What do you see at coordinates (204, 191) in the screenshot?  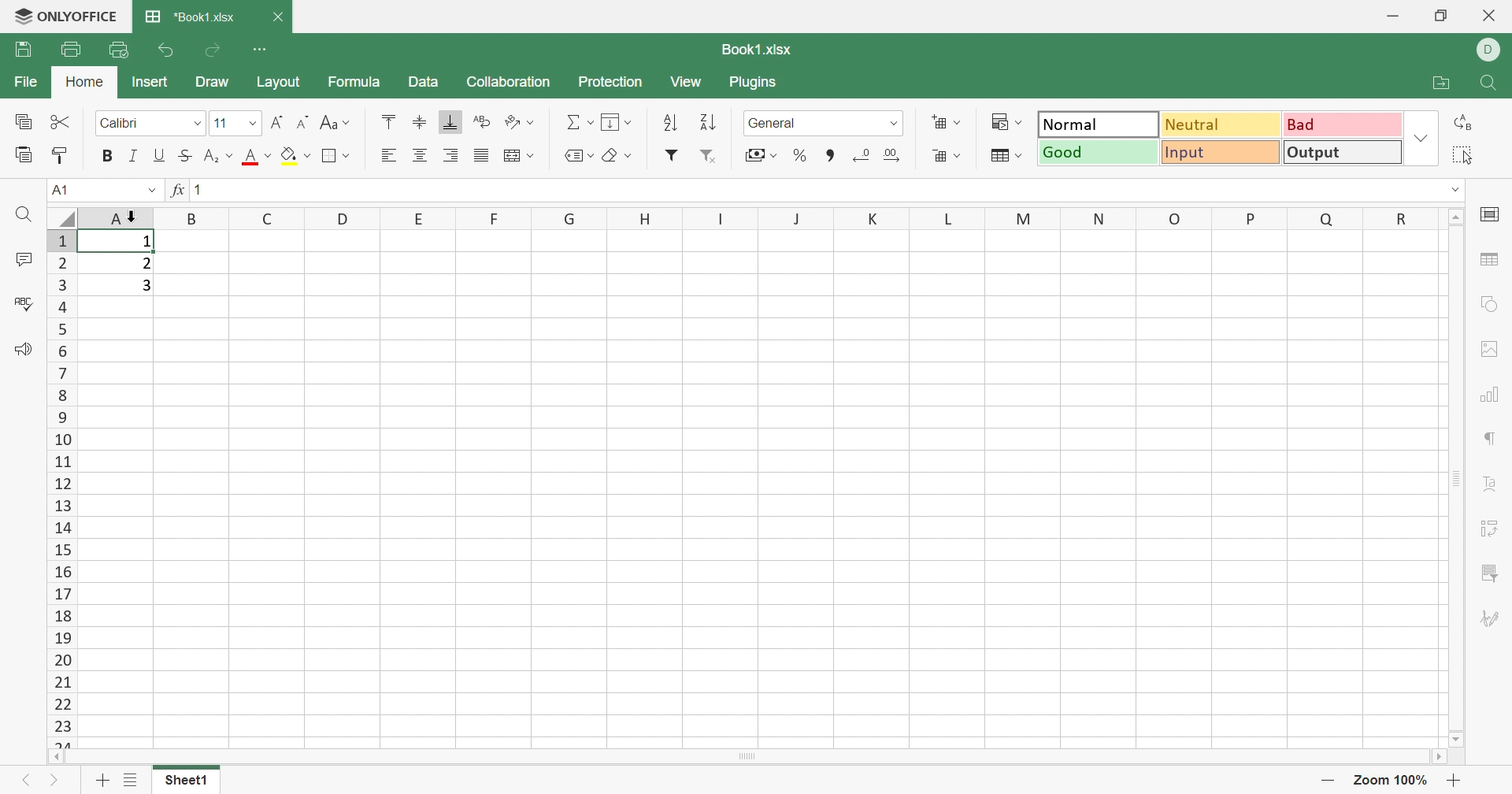 I see `1` at bounding box center [204, 191].